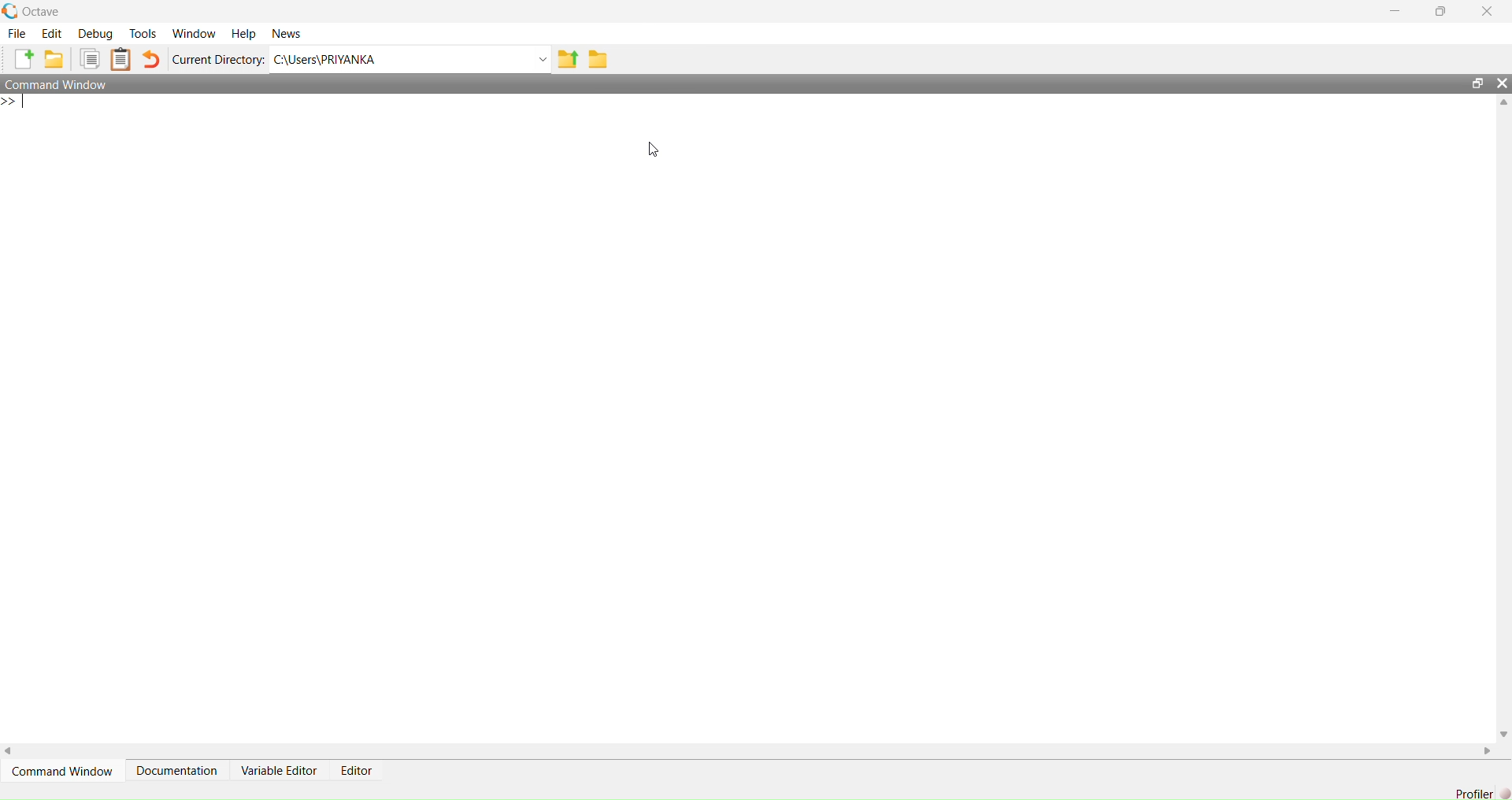  I want to click on Debug, so click(95, 33).